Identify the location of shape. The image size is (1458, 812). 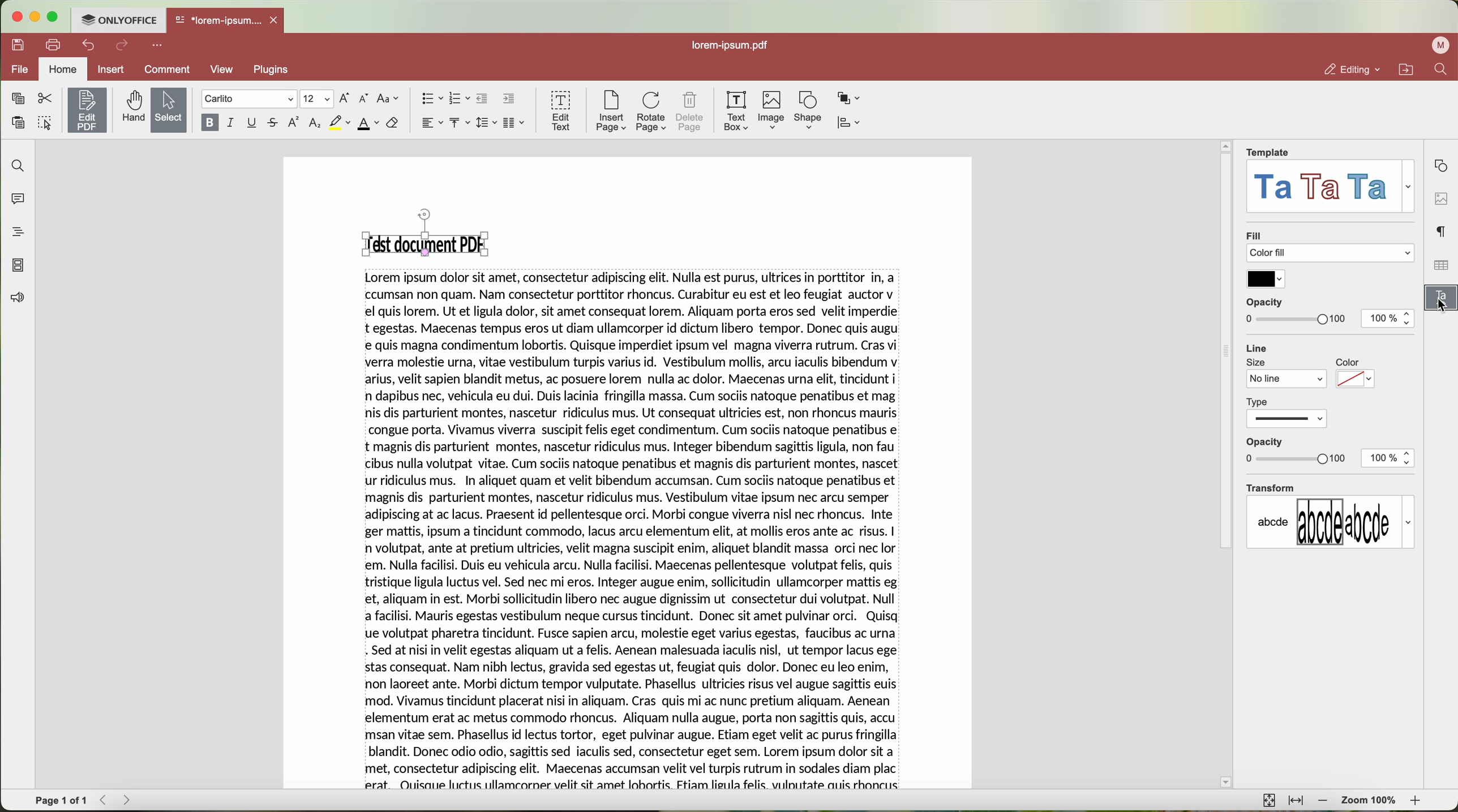
(807, 111).